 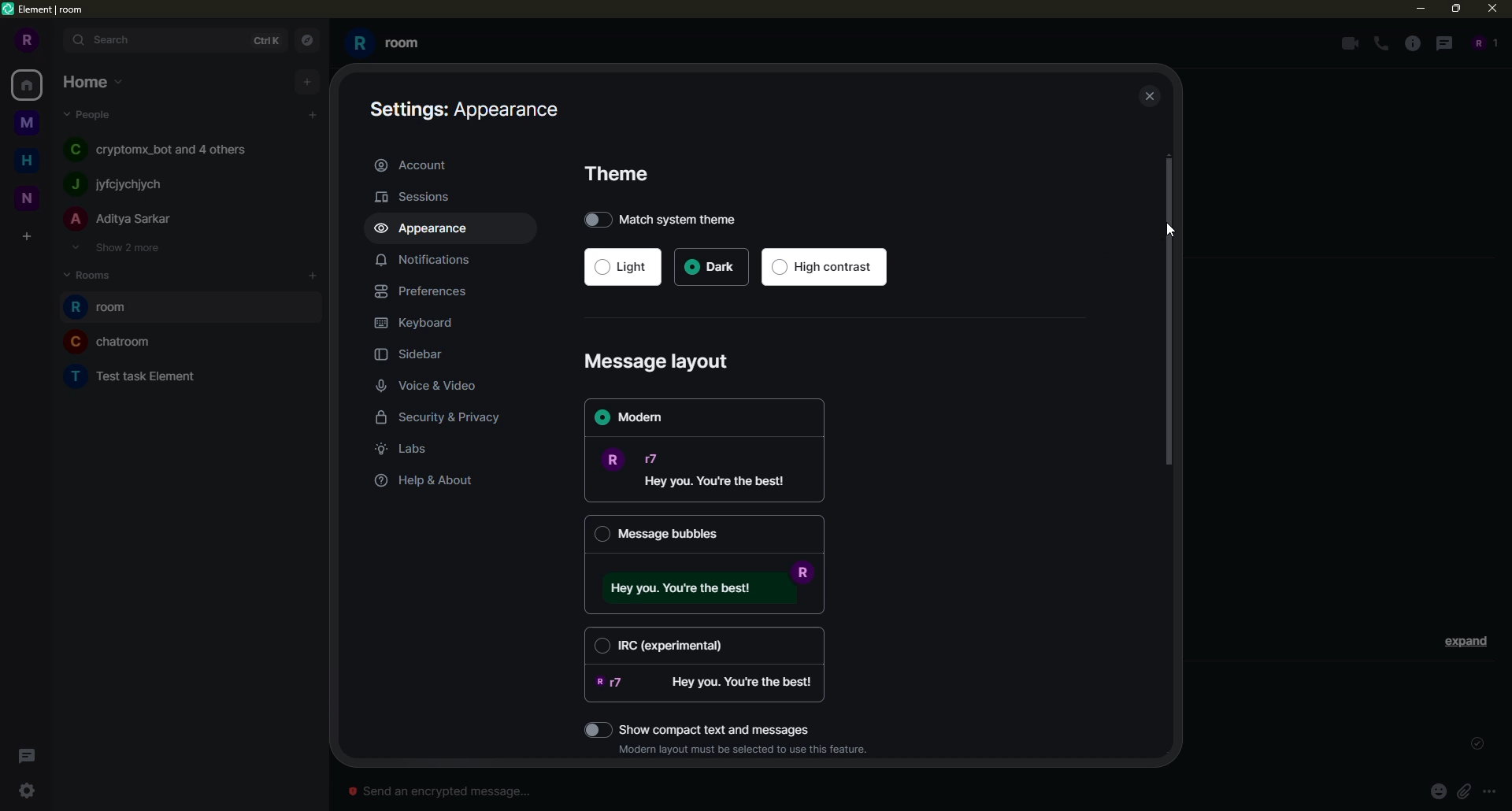 I want to click on attach, so click(x=1463, y=791).